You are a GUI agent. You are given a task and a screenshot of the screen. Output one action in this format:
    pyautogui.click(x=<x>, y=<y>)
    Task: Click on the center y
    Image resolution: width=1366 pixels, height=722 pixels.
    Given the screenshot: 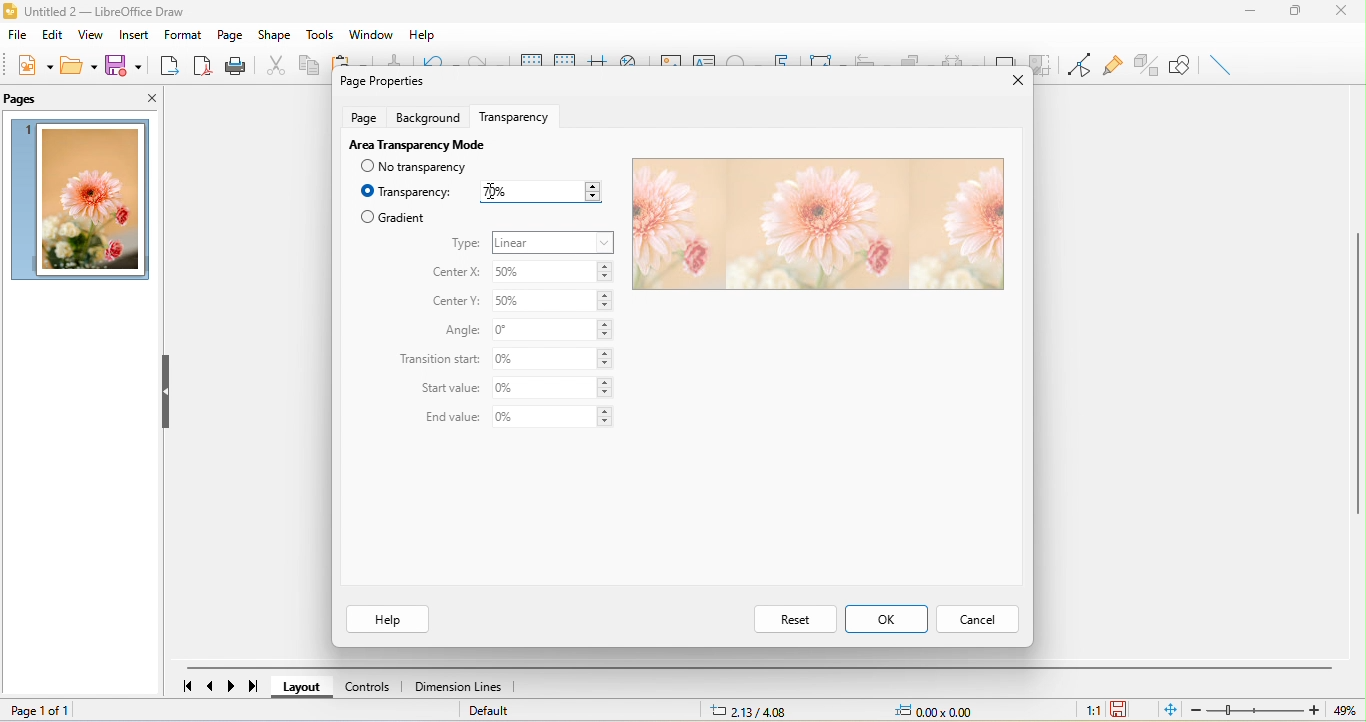 What is the action you would take?
    pyautogui.click(x=458, y=302)
    